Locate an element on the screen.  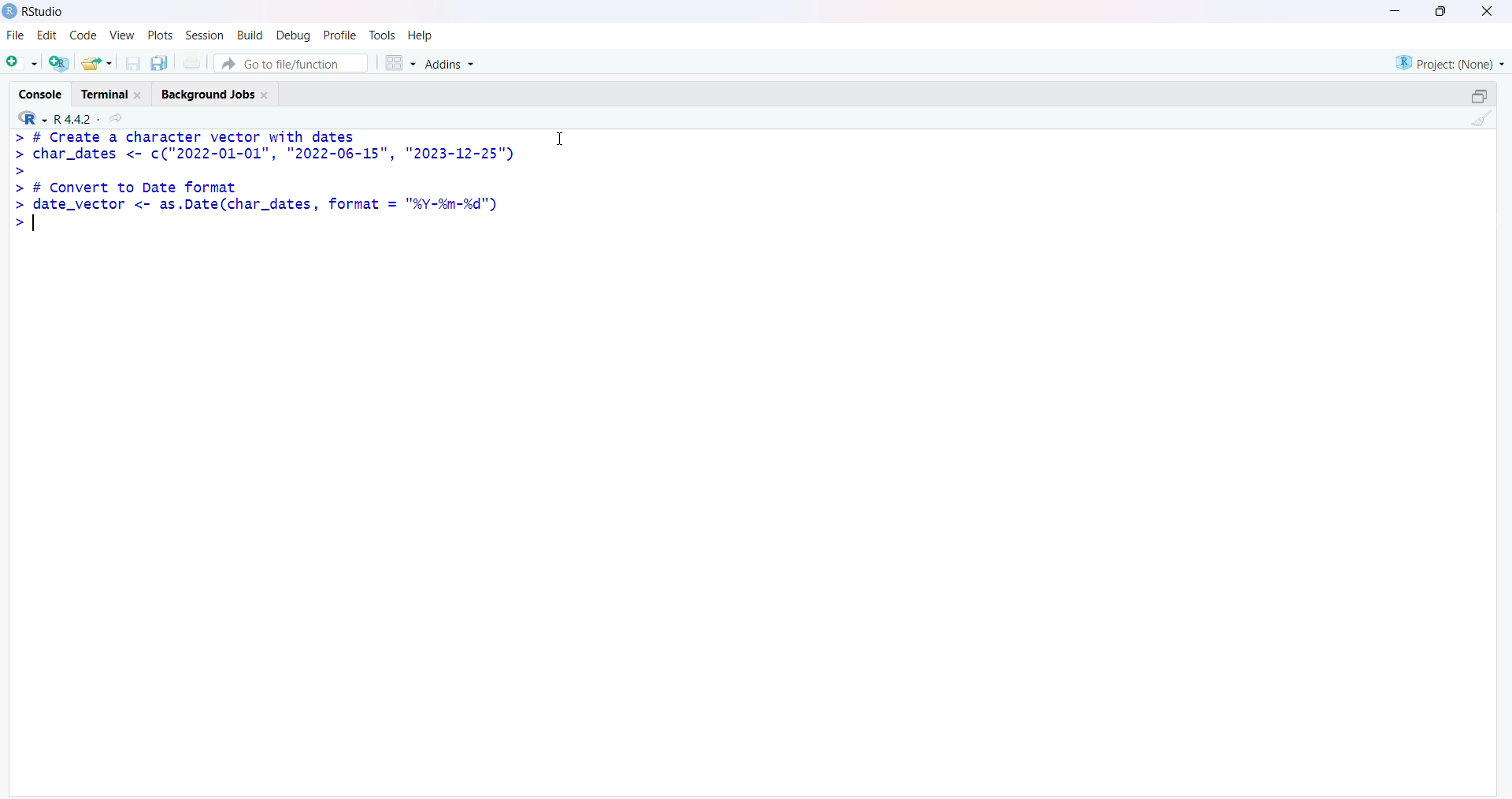
Maximize is located at coordinates (1441, 11).